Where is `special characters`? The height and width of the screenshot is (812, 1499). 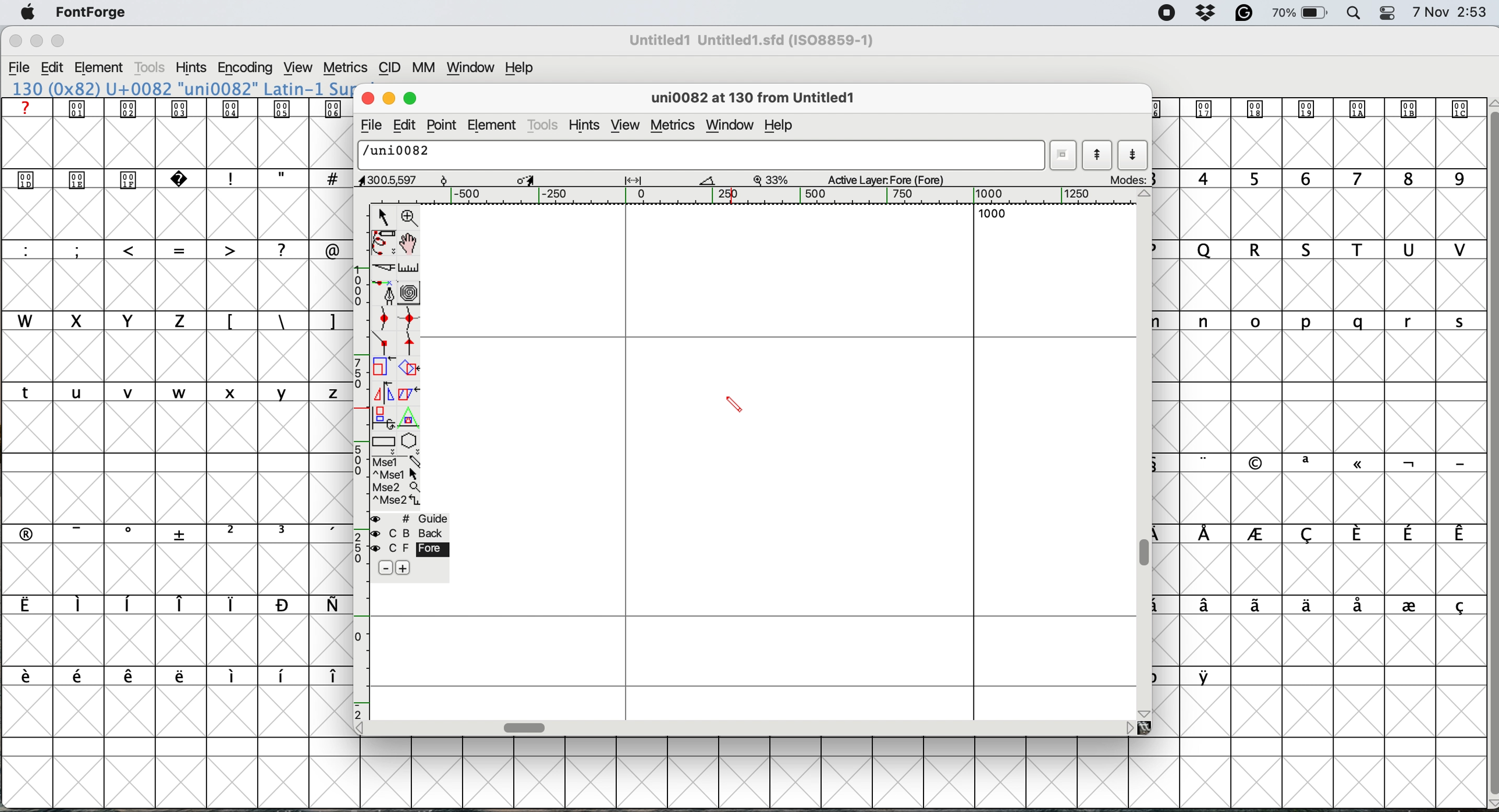
special characters is located at coordinates (169, 533).